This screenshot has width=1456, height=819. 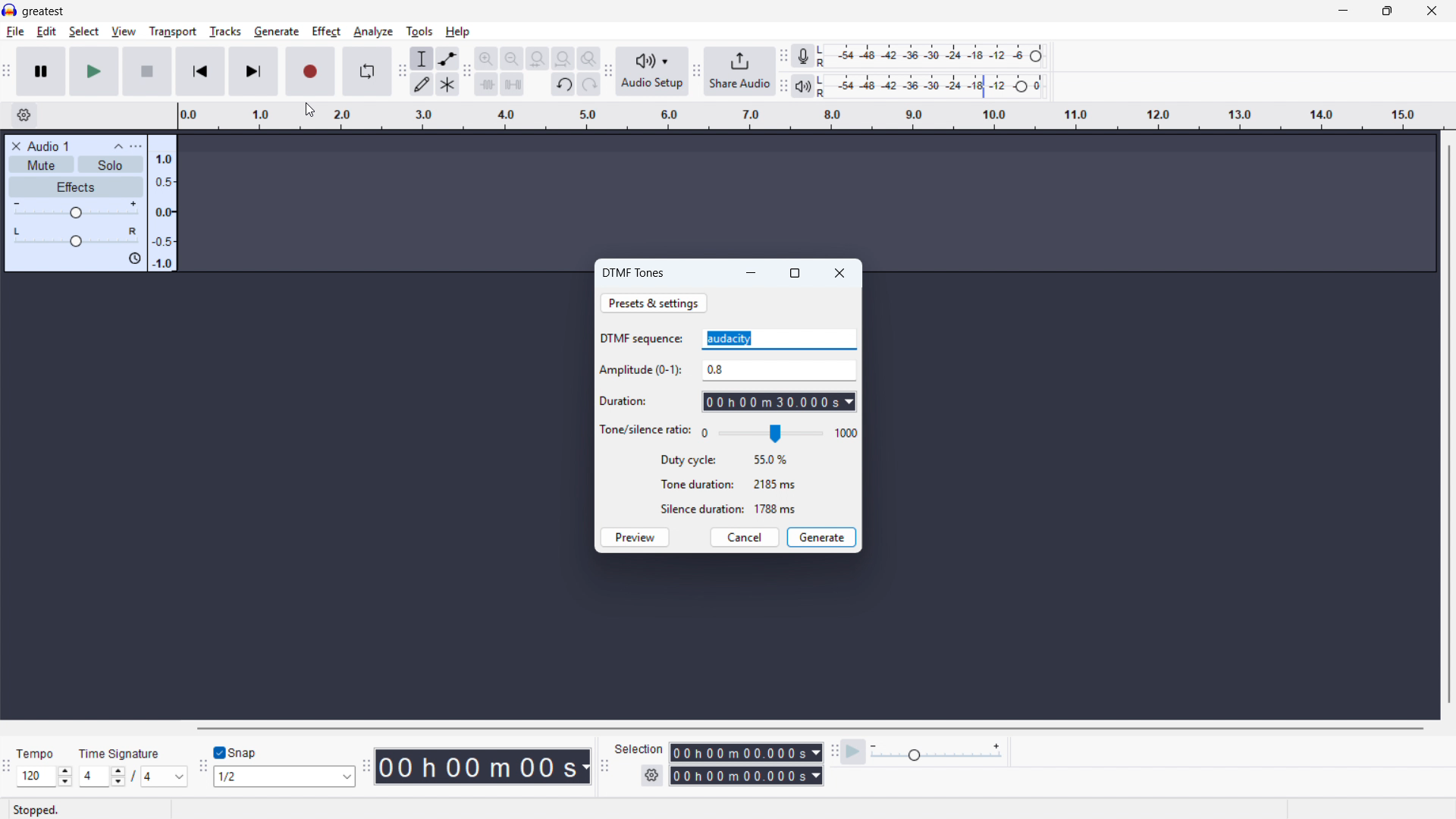 What do you see at coordinates (783, 87) in the screenshot?
I see `playback meter toolbar` at bounding box center [783, 87].